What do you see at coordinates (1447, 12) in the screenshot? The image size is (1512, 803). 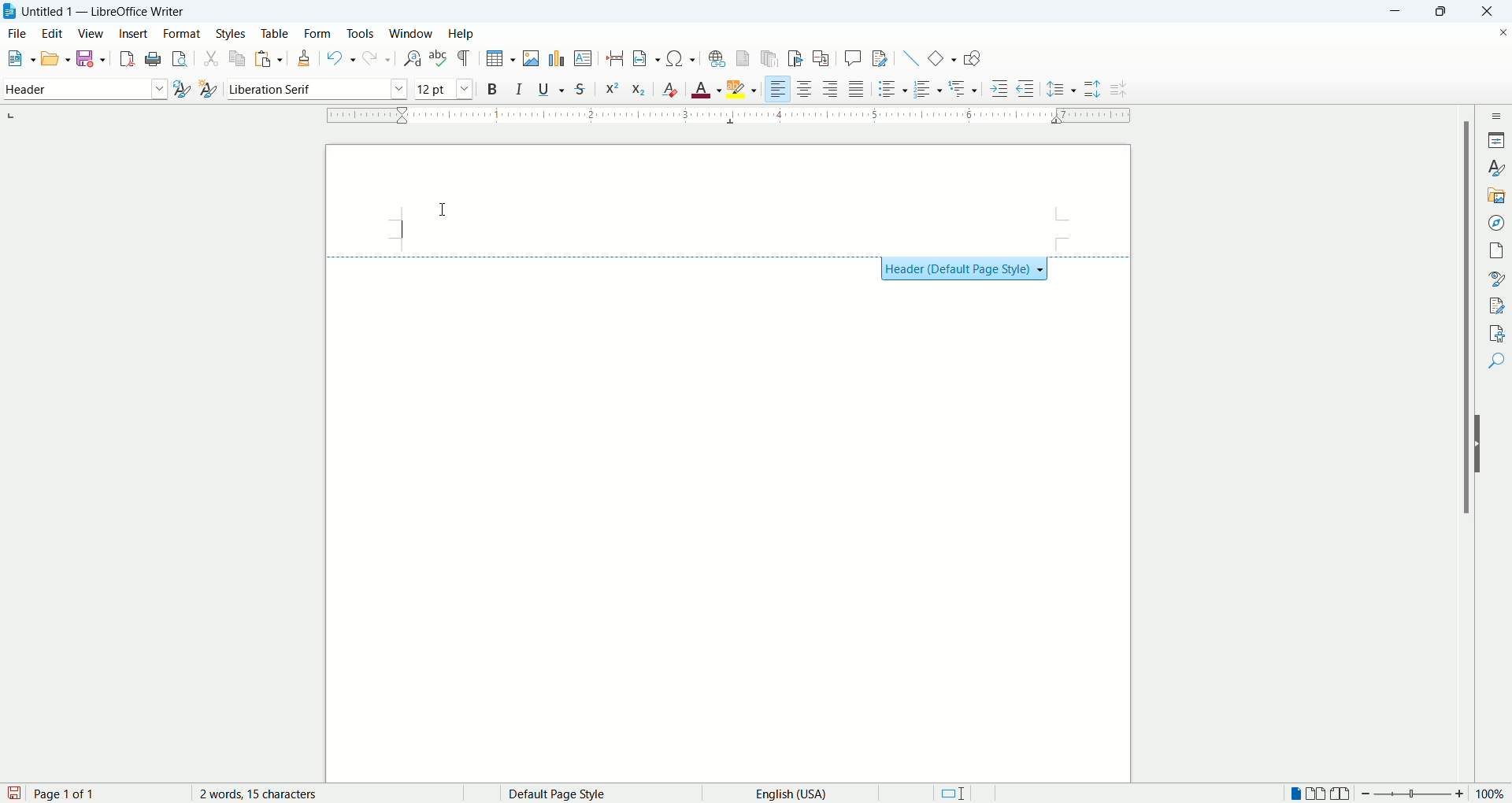 I see `maximize` at bounding box center [1447, 12].